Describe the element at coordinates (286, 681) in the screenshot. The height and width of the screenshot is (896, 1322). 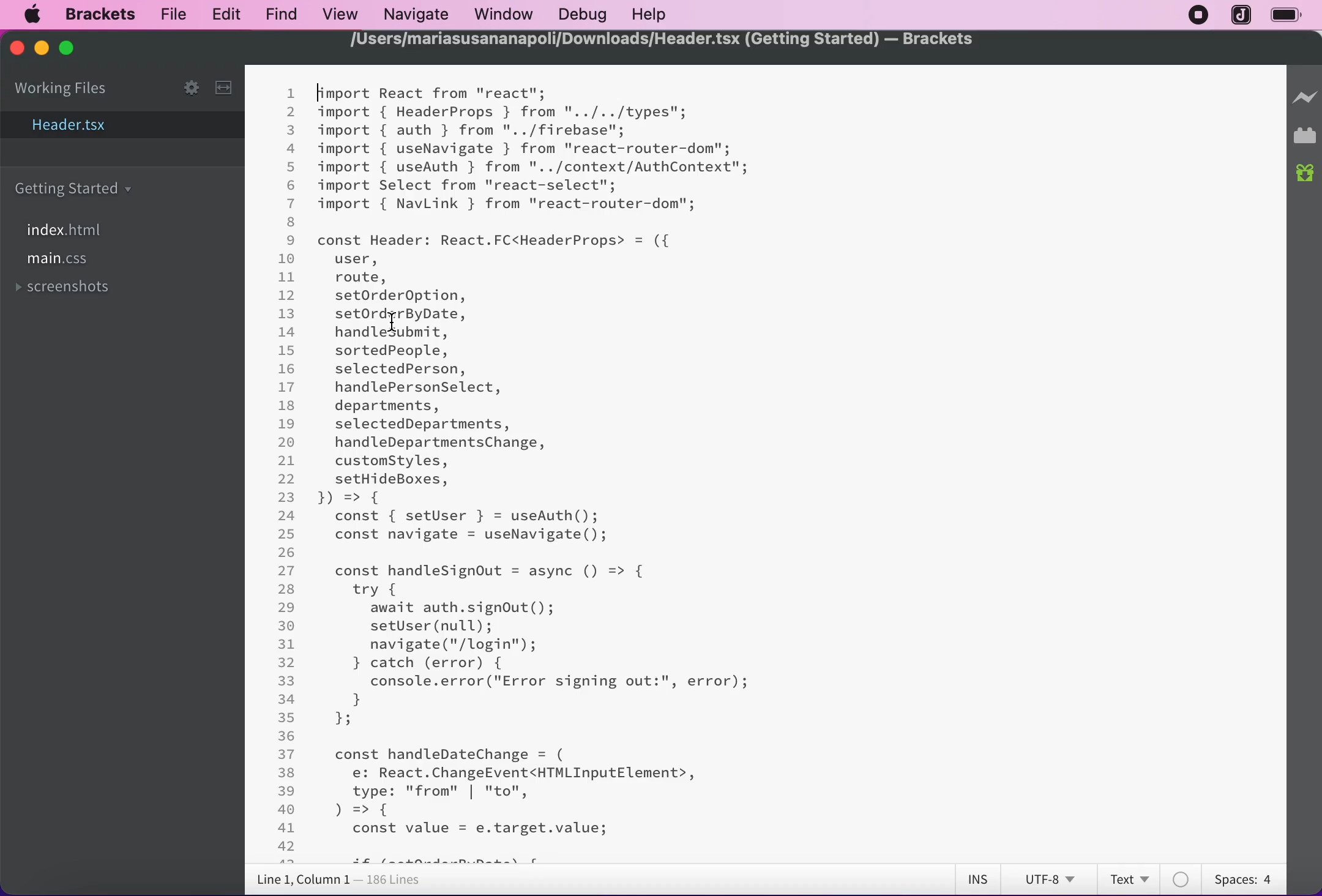
I see `33` at that location.